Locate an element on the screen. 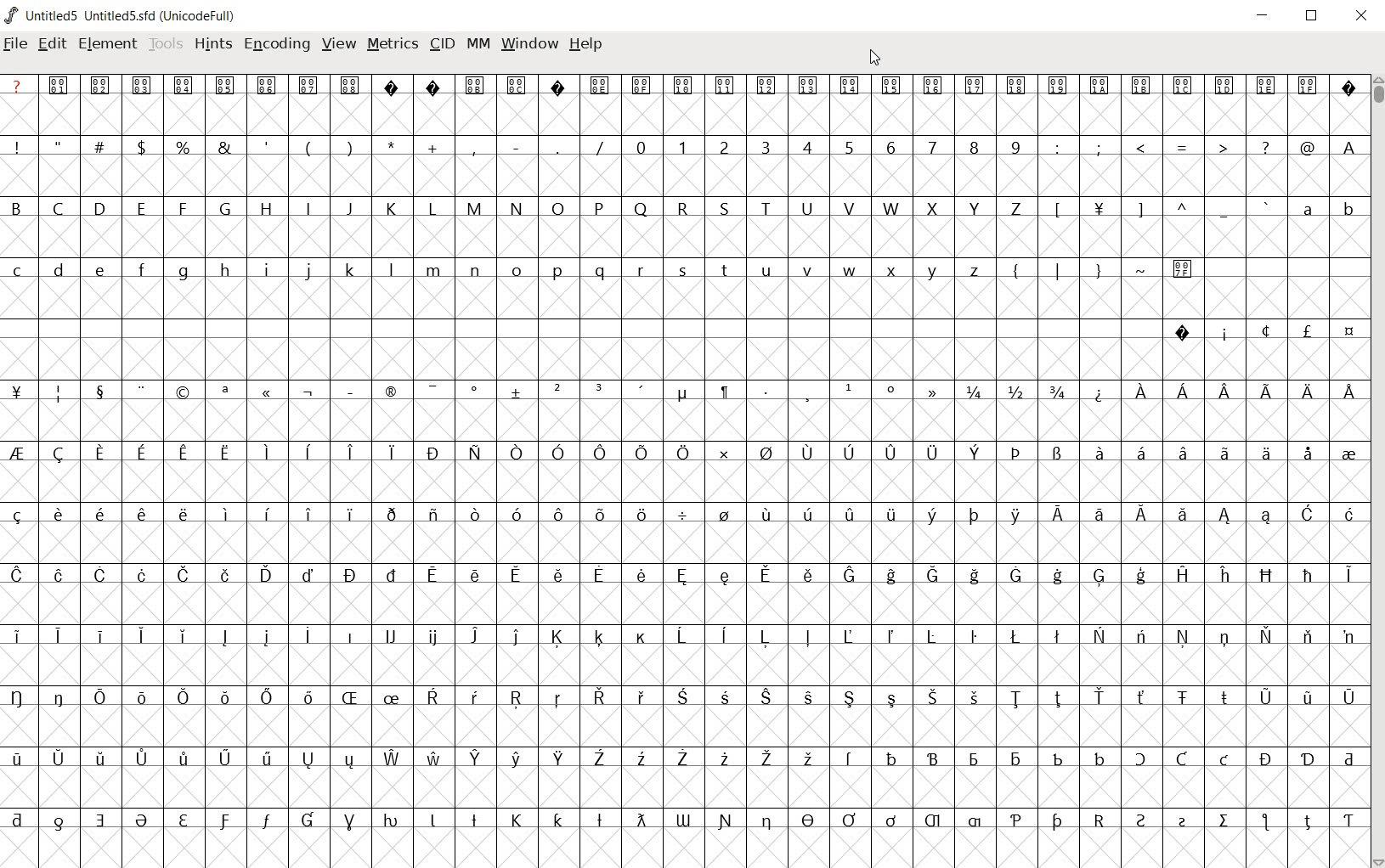 The width and height of the screenshot is (1385, 868). Symbol is located at coordinates (642, 574).